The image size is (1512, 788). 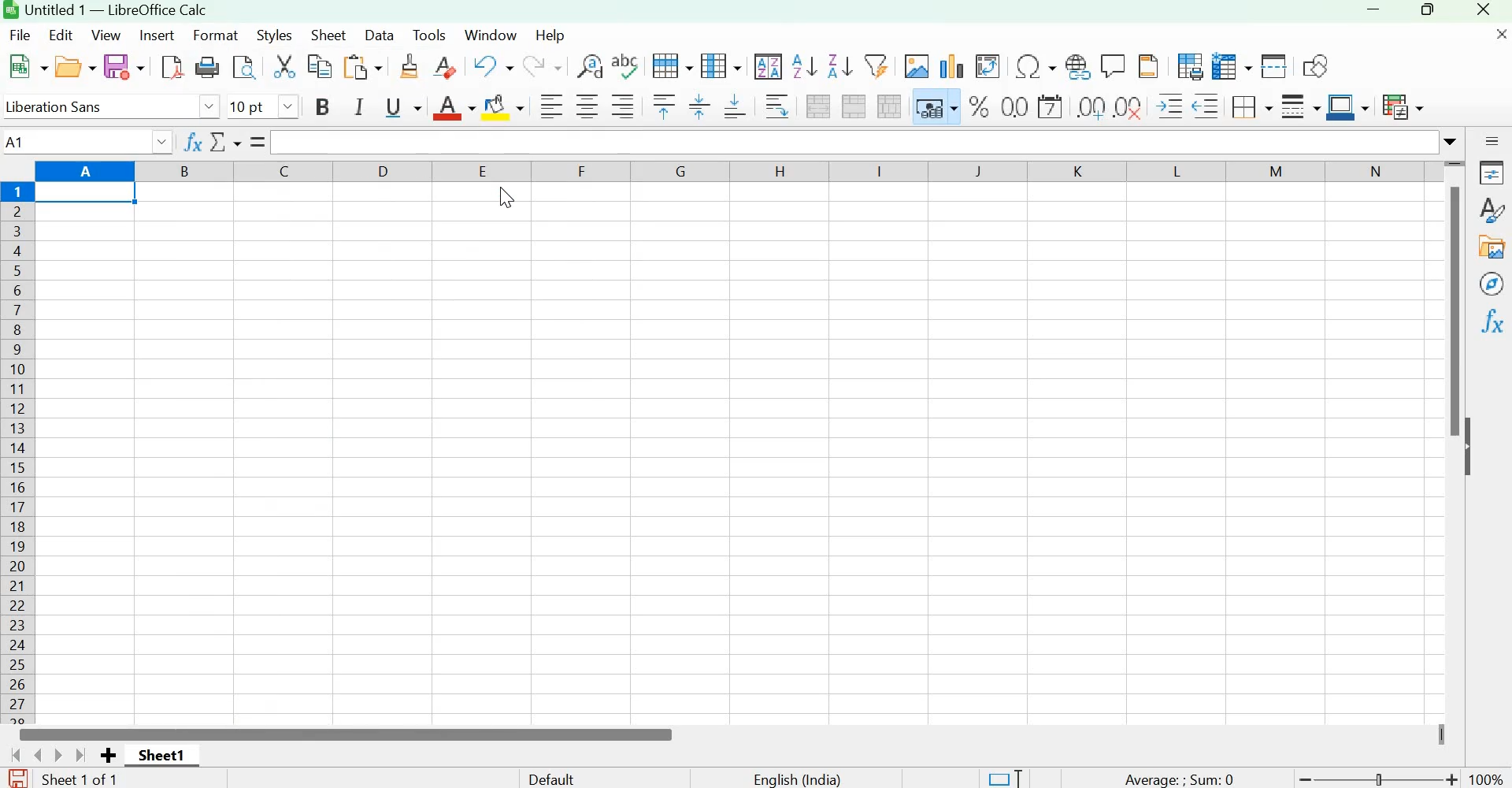 What do you see at coordinates (776, 107) in the screenshot?
I see `Wrap text` at bounding box center [776, 107].